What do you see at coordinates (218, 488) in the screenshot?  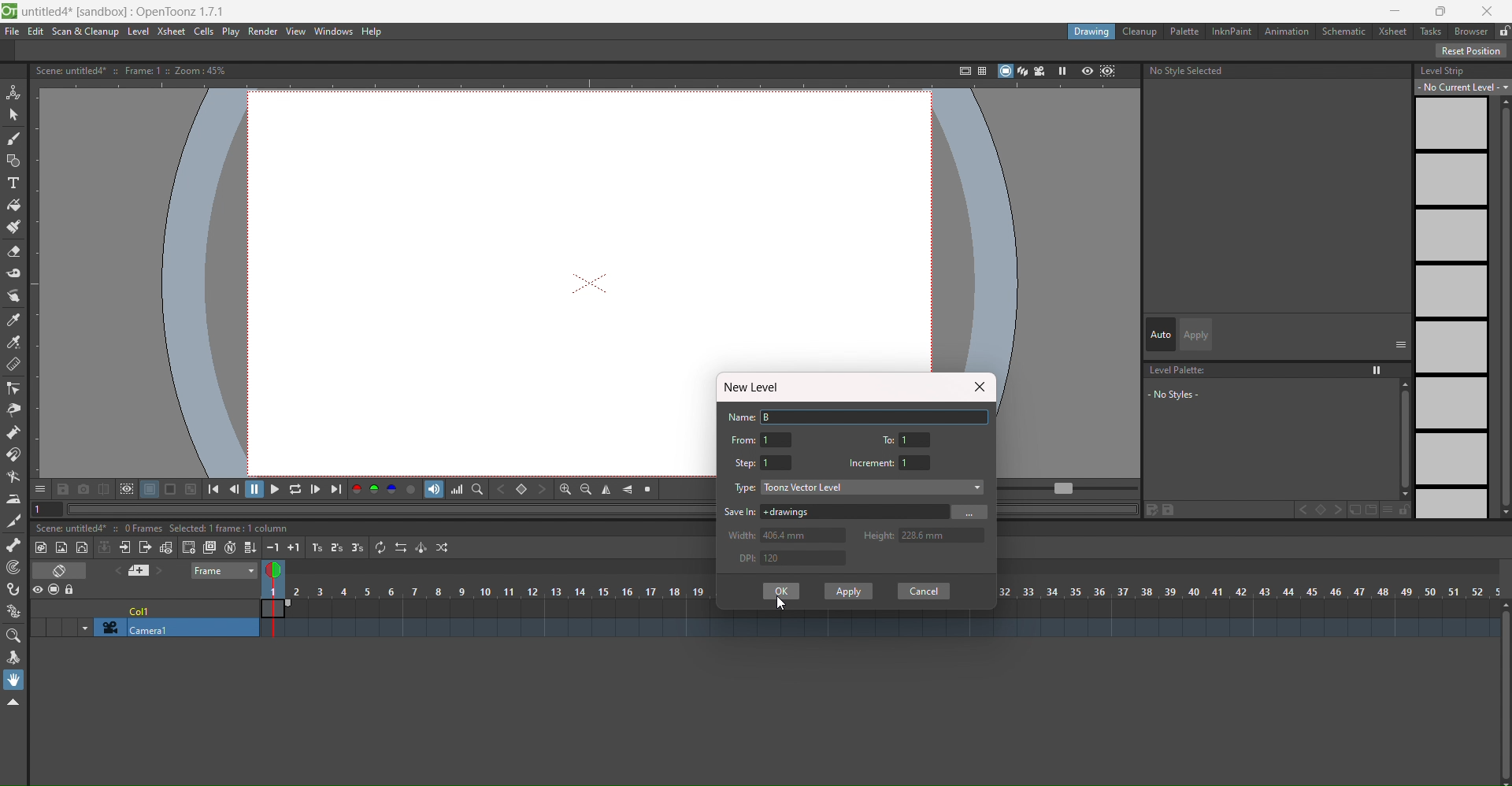 I see `first  frame` at bounding box center [218, 488].